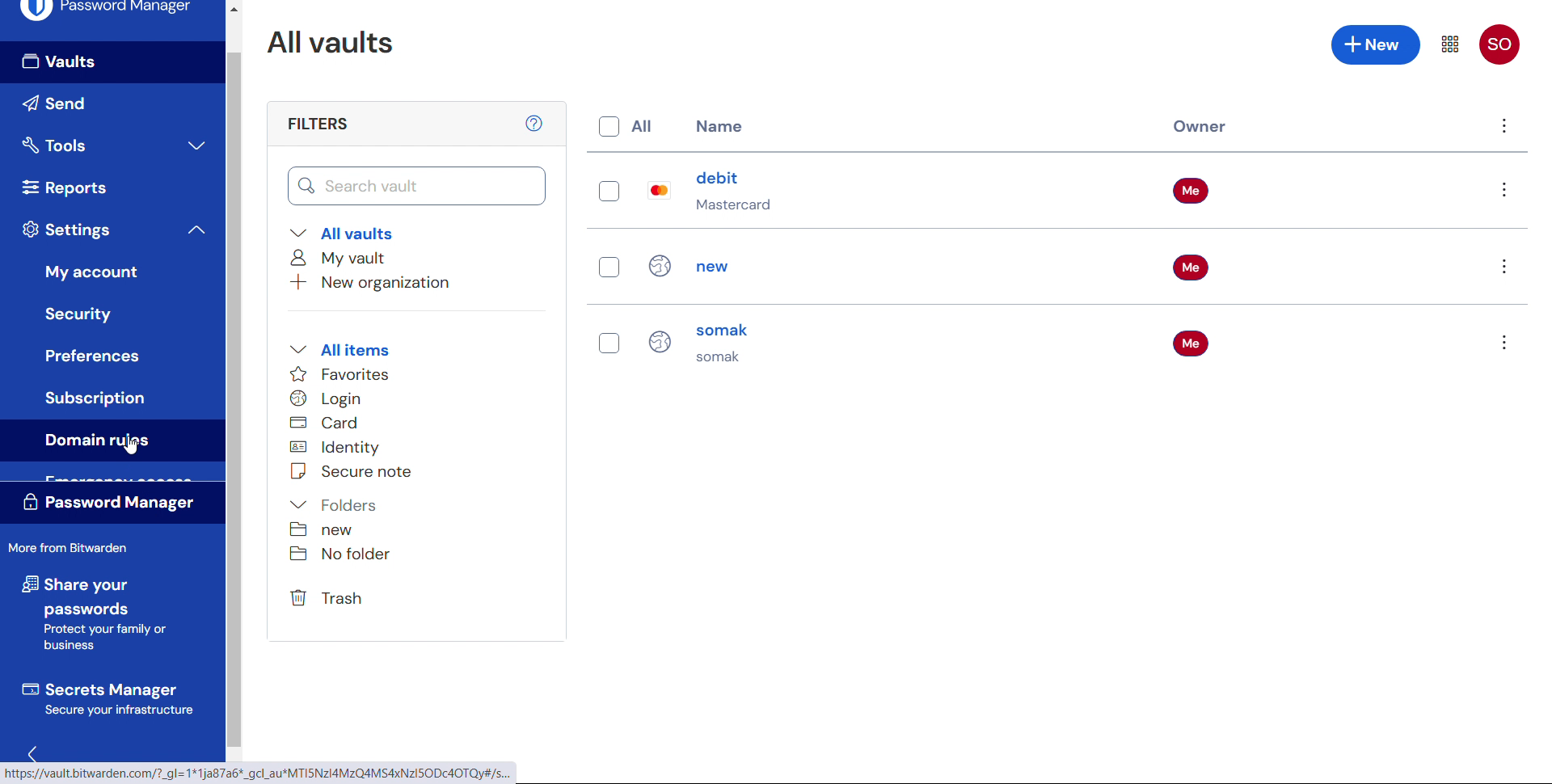  What do you see at coordinates (1503, 190) in the screenshot?
I see `Options for entry "debit"` at bounding box center [1503, 190].